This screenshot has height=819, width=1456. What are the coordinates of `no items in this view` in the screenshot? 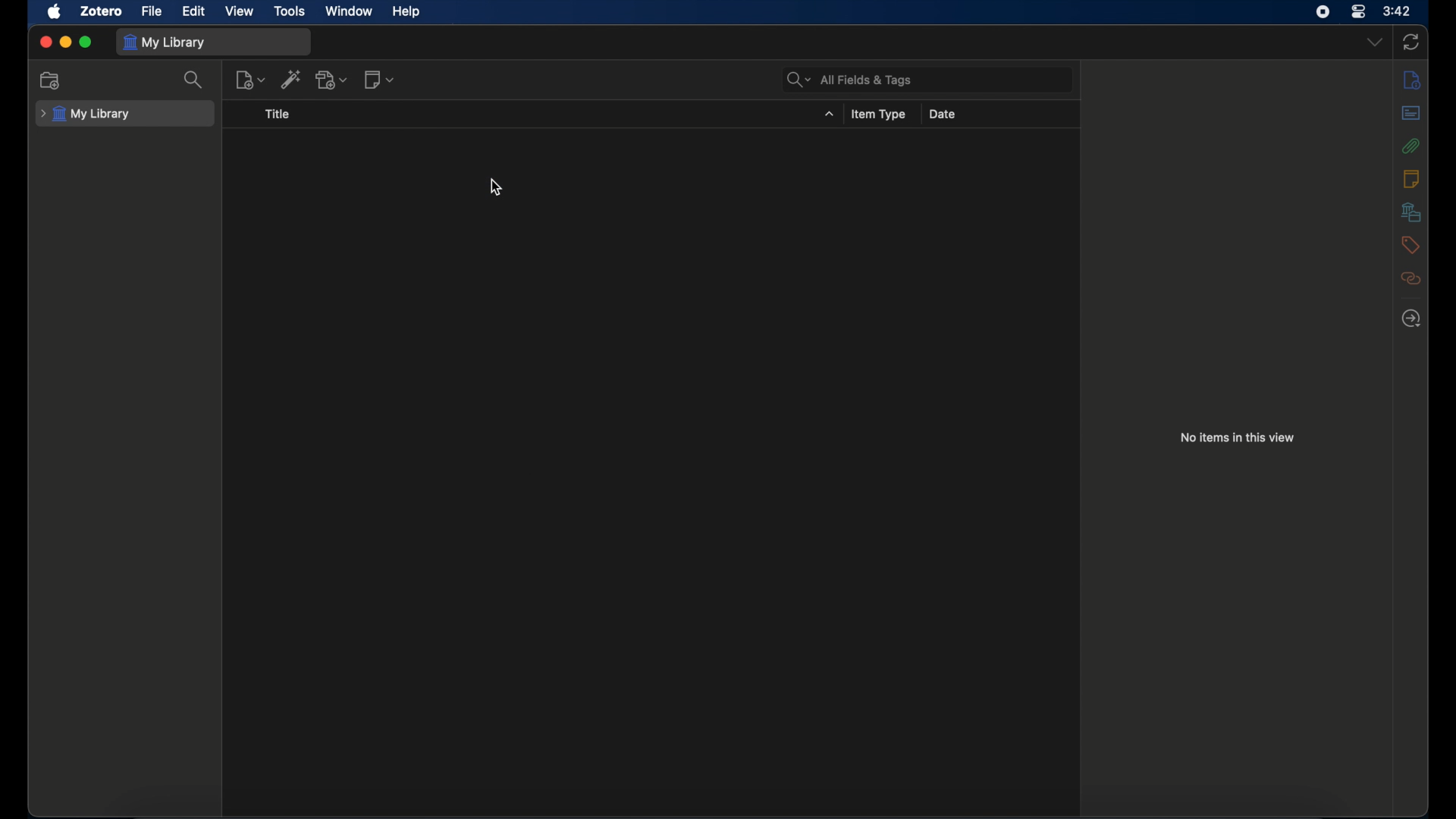 It's located at (1238, 438).